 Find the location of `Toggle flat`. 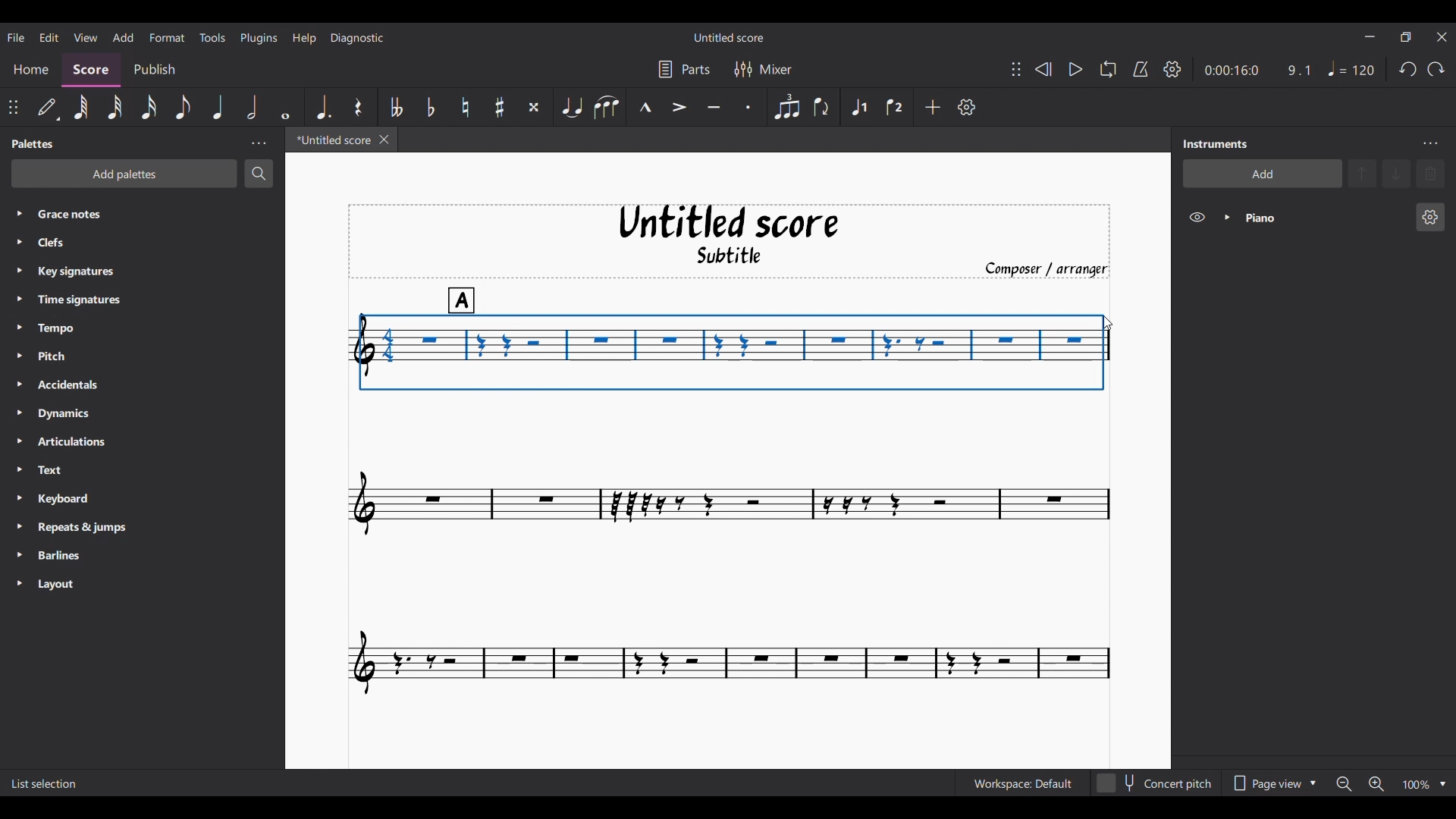

Toggle flat is located at coordinates (431, 107).